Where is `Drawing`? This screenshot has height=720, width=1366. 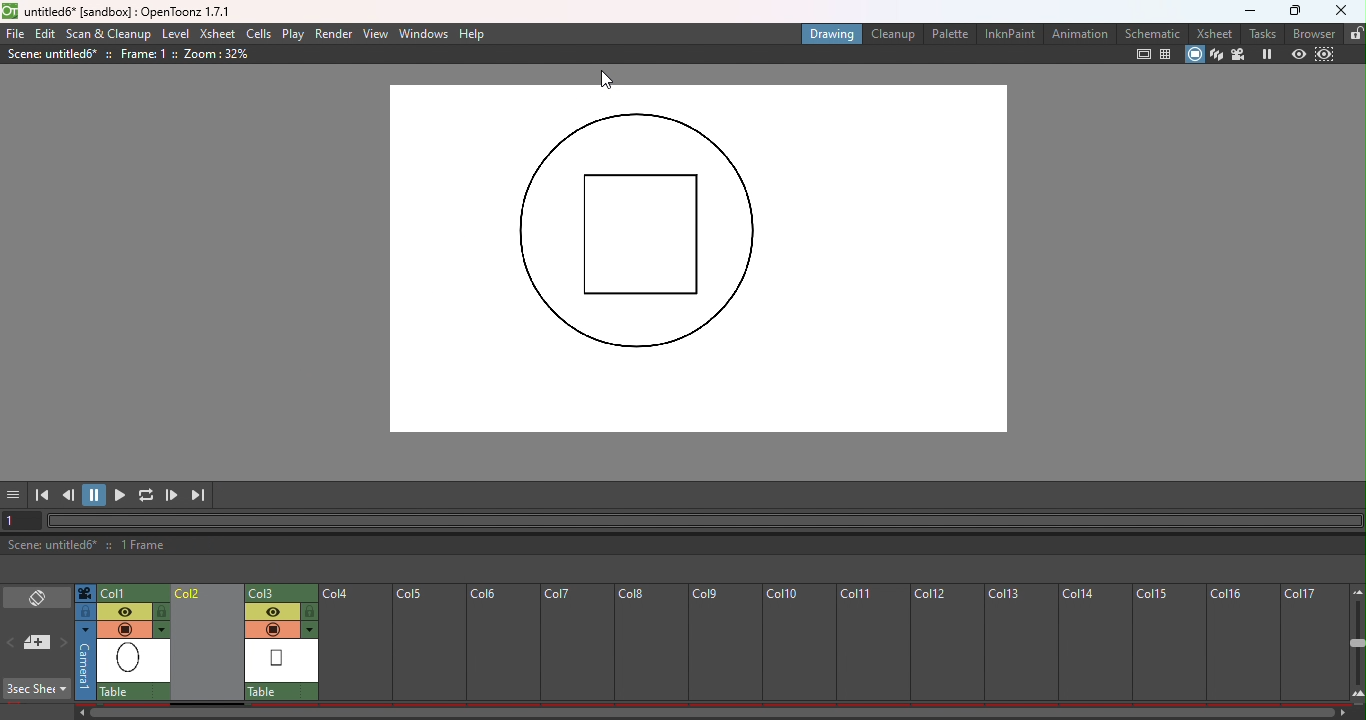 Drawing is located at coordinates (833, 35).